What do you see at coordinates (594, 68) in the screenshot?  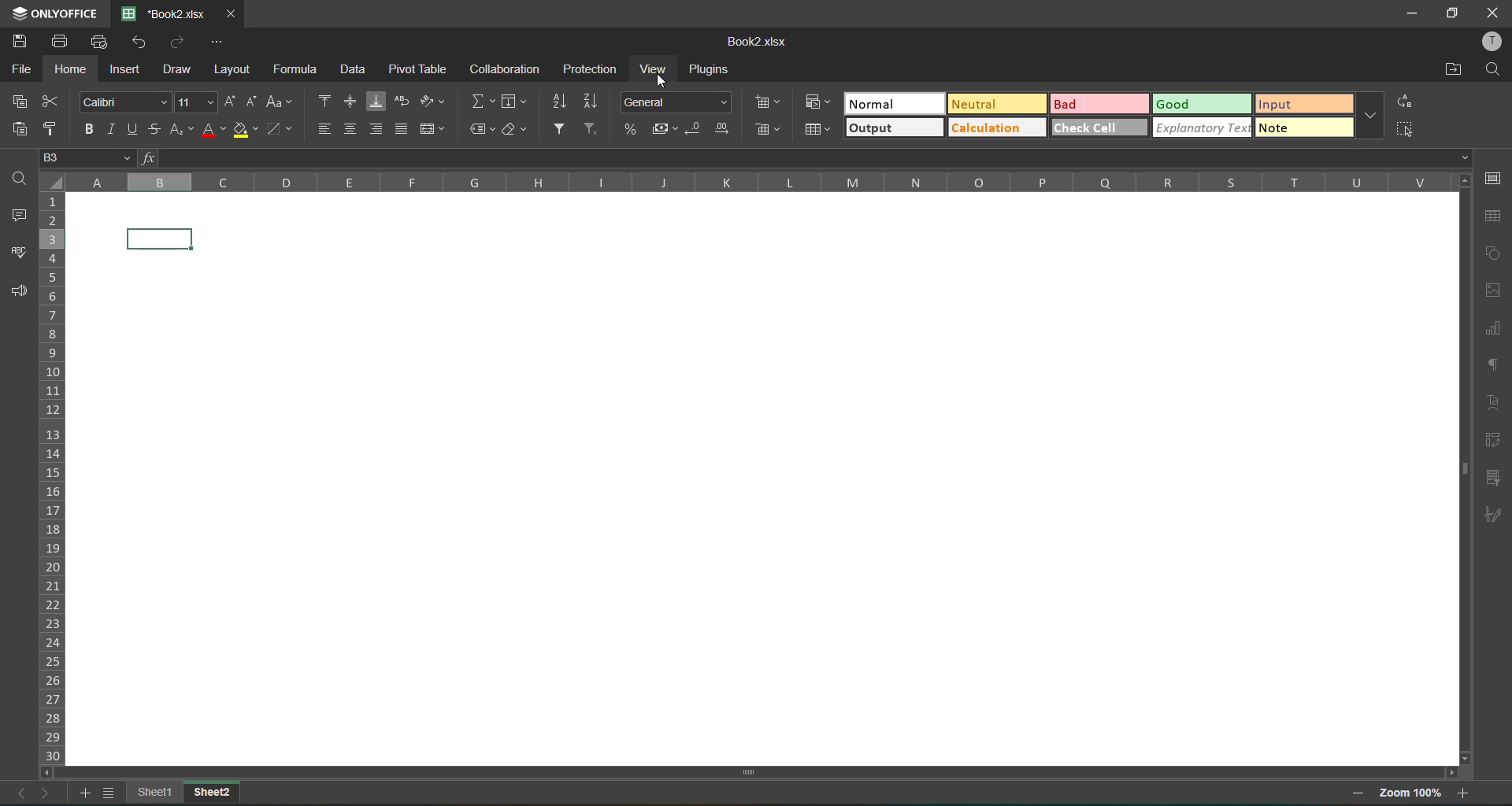 I see `protection` at bounding box center [594, 68].